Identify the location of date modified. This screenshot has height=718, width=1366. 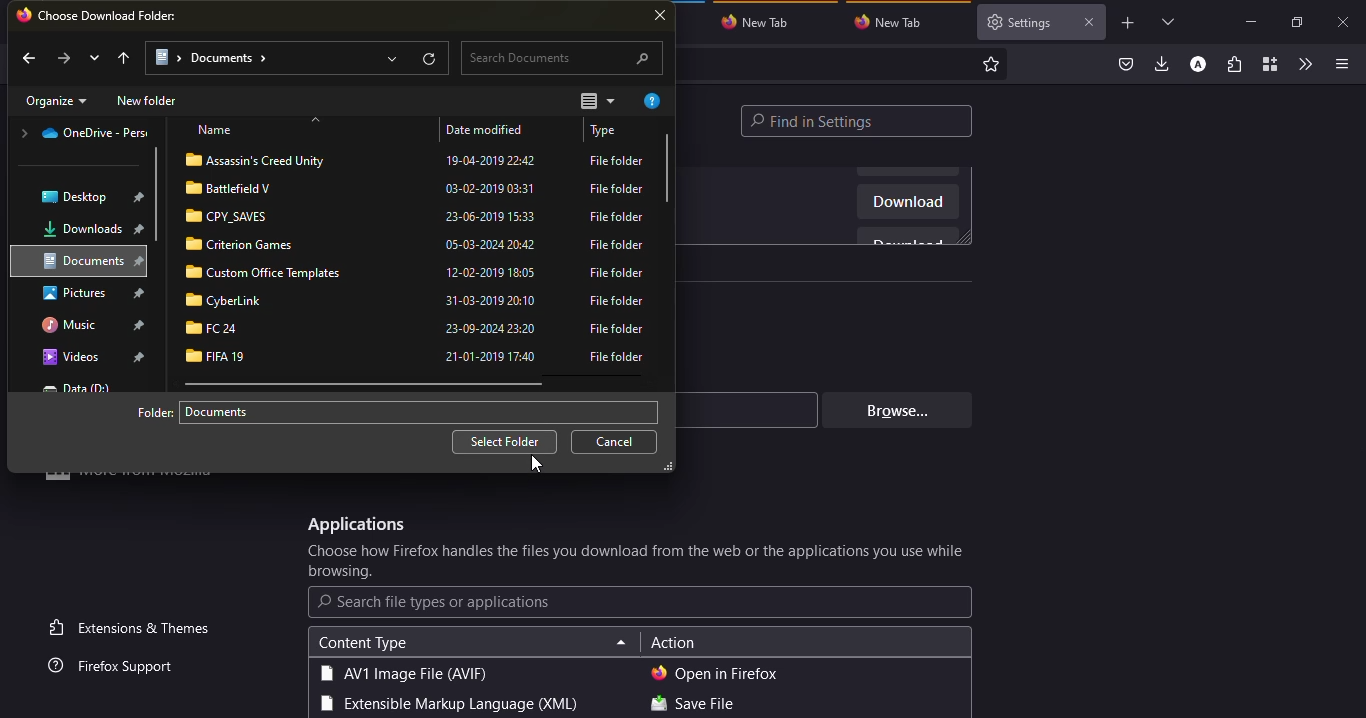
(493, 303).